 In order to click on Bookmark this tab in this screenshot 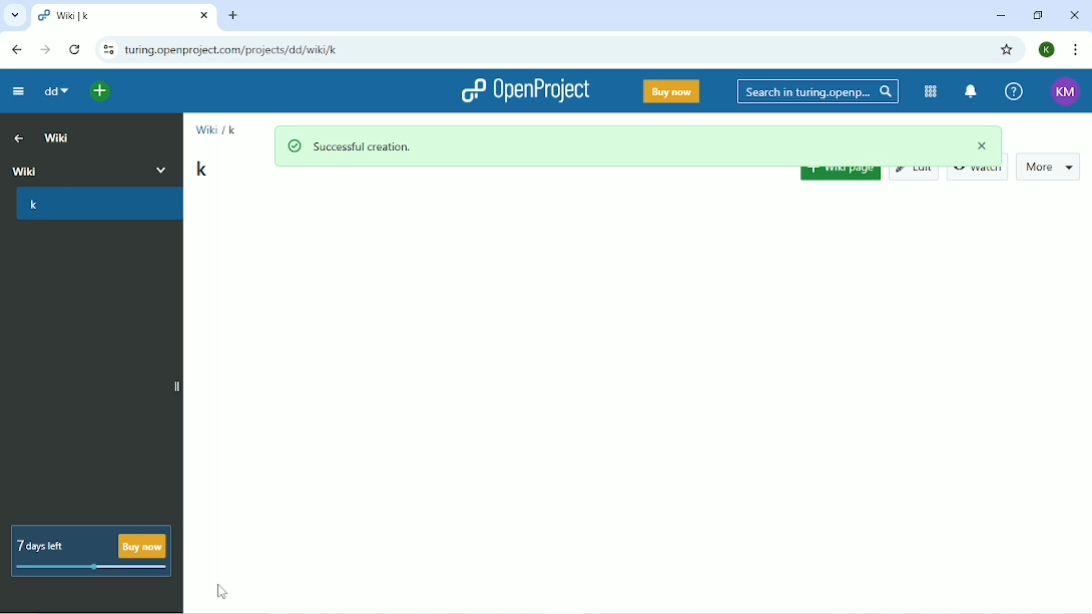, I will do `click(1007, 51)`.